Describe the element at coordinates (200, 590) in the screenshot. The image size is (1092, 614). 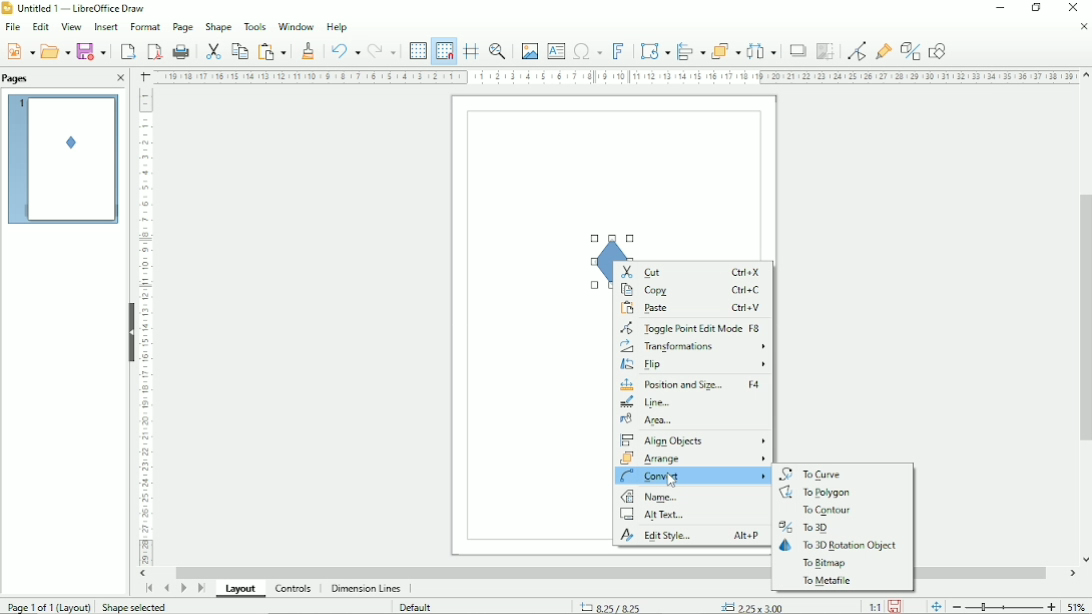
I see `Scroll to last page` at that location.